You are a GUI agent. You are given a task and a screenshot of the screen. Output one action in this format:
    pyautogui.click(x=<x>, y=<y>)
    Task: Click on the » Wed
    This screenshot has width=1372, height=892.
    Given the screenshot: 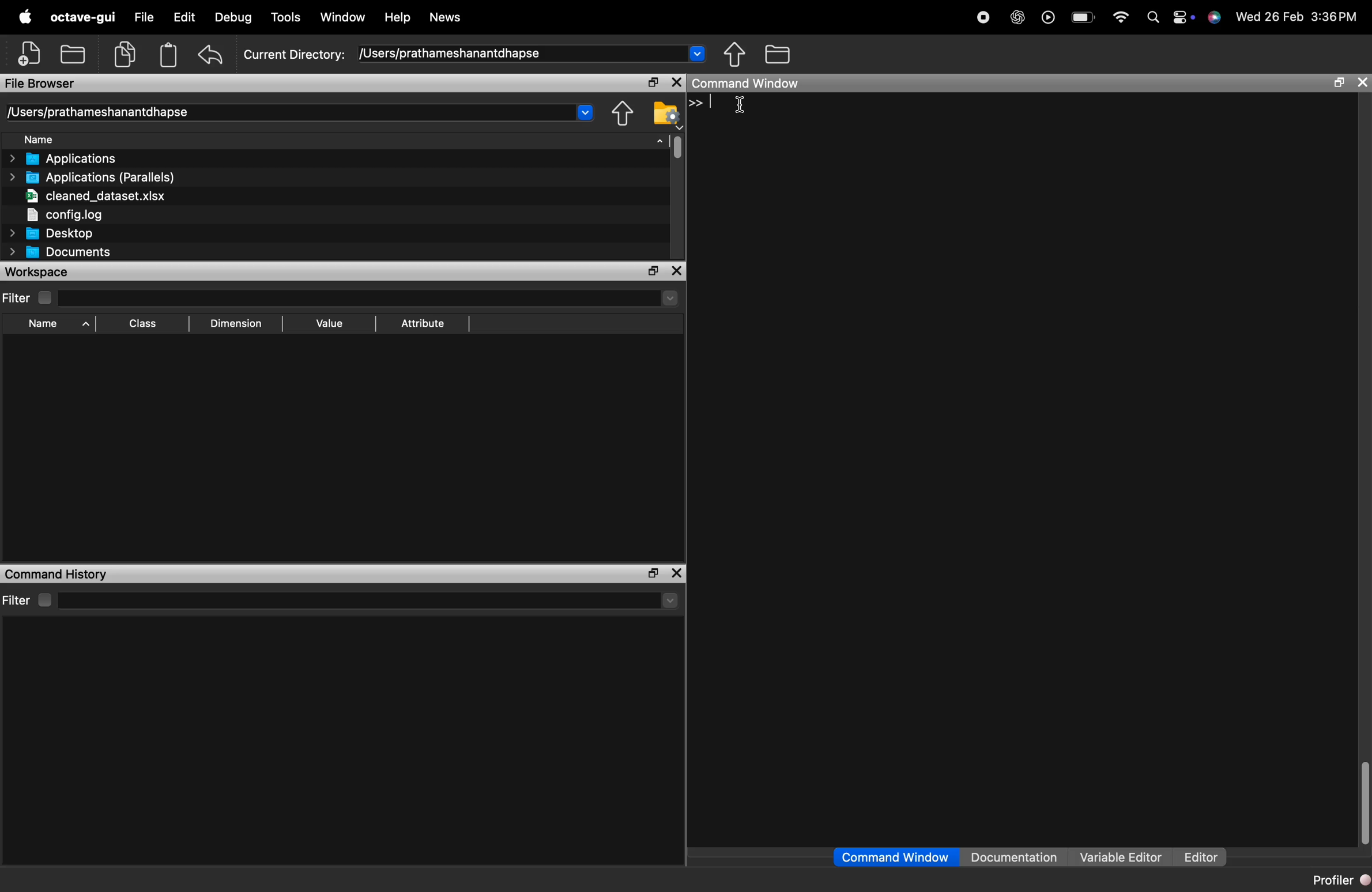 What is the action you would take?
    pyautogui.click(x=1246, y=17)
    